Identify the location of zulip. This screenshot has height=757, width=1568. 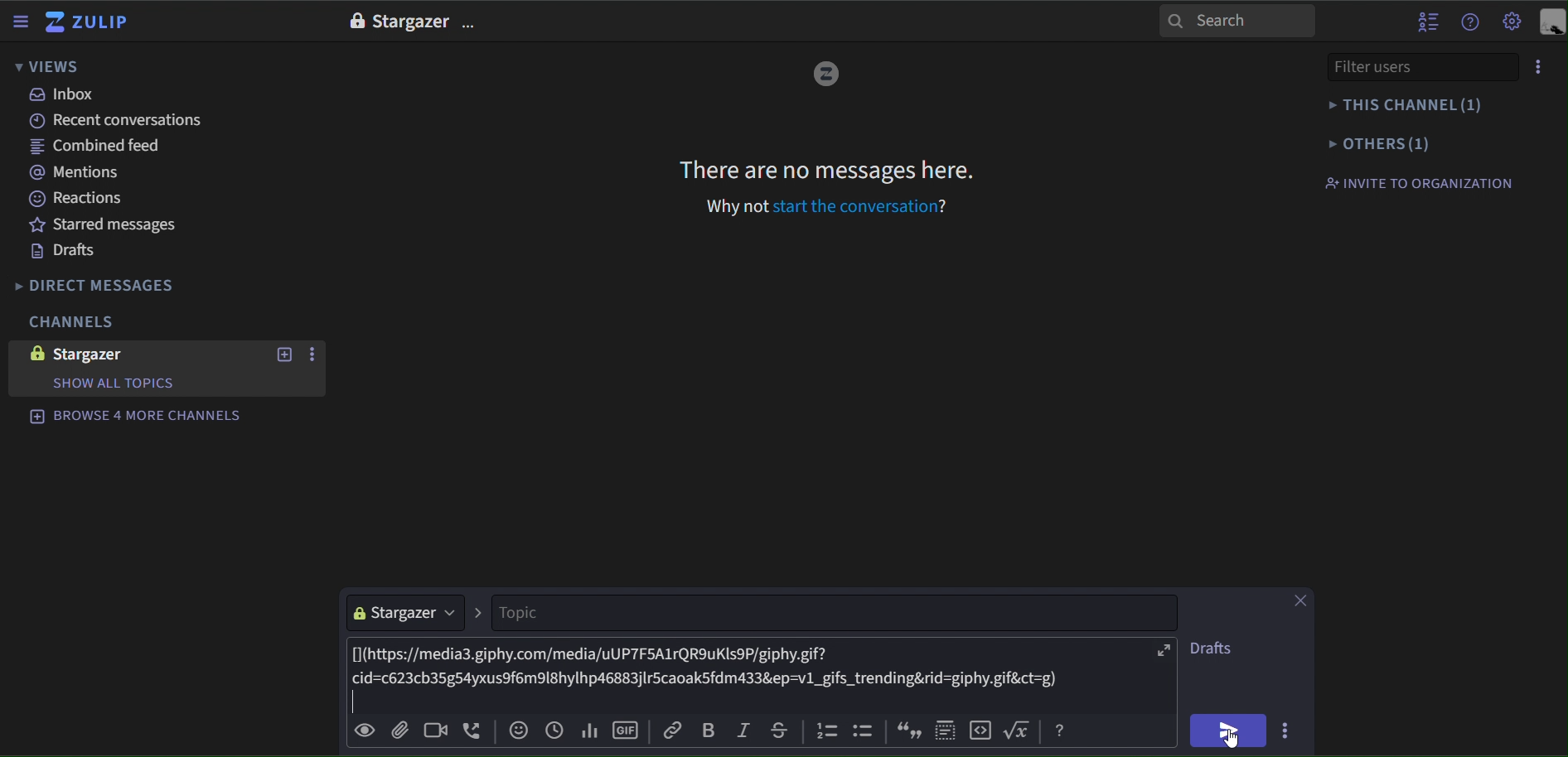
(90, 23).